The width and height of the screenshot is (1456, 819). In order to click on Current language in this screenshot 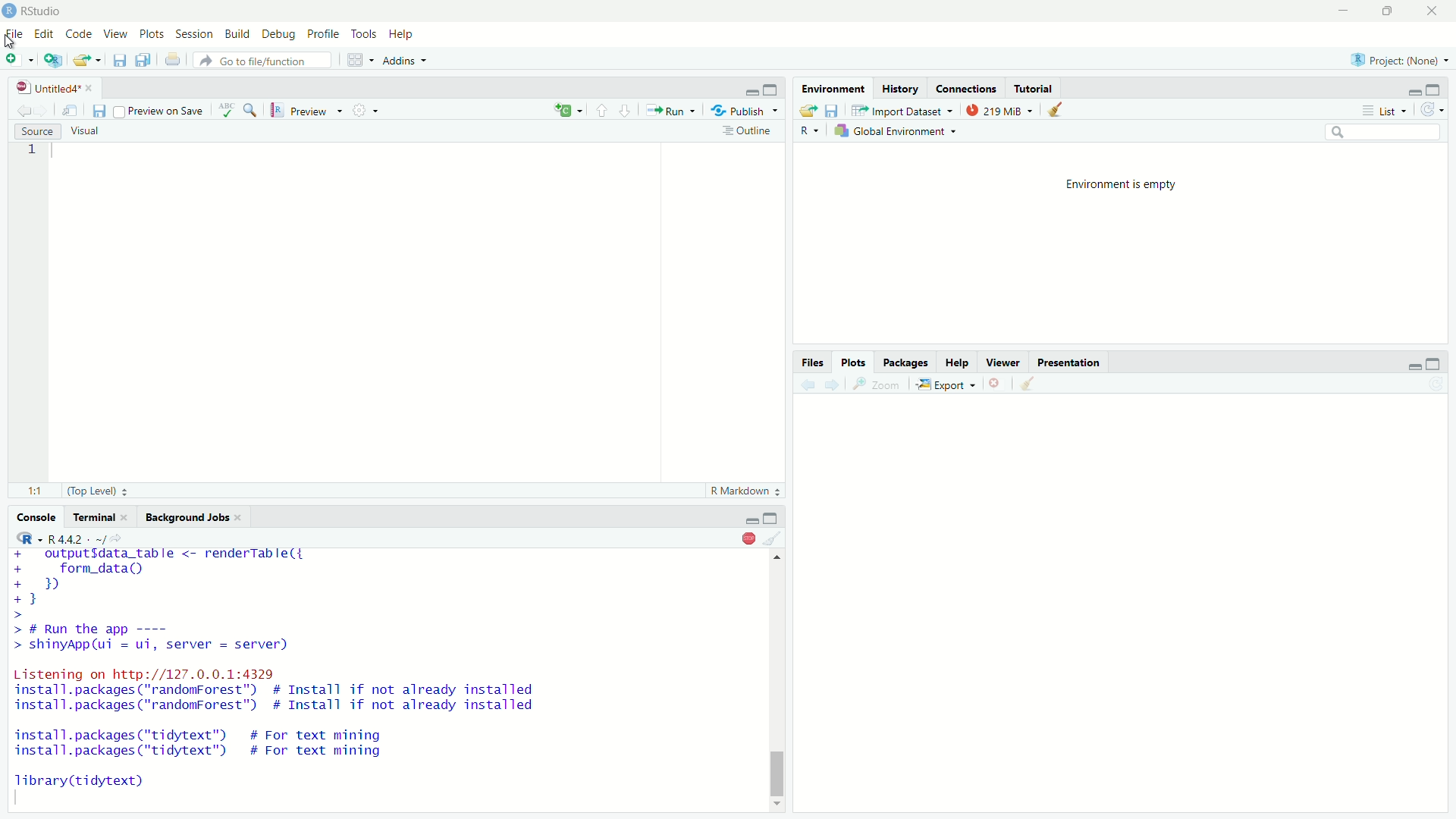, I will do `click(570, 110)`.